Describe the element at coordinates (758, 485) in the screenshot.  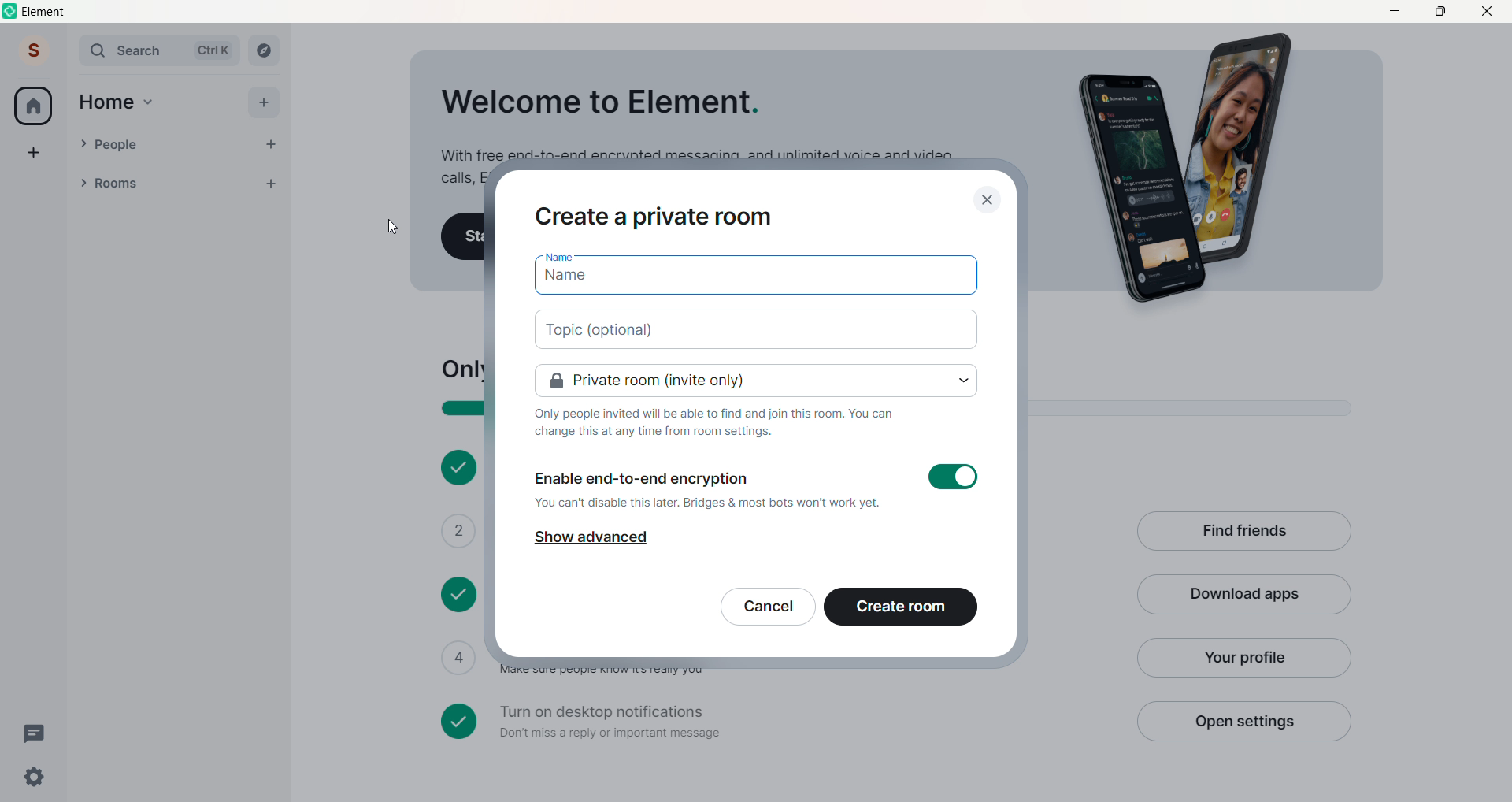
I see `Enable end-to-end encryption
You can't disable this later. Bridges & most bots won't work yet.` at that location.